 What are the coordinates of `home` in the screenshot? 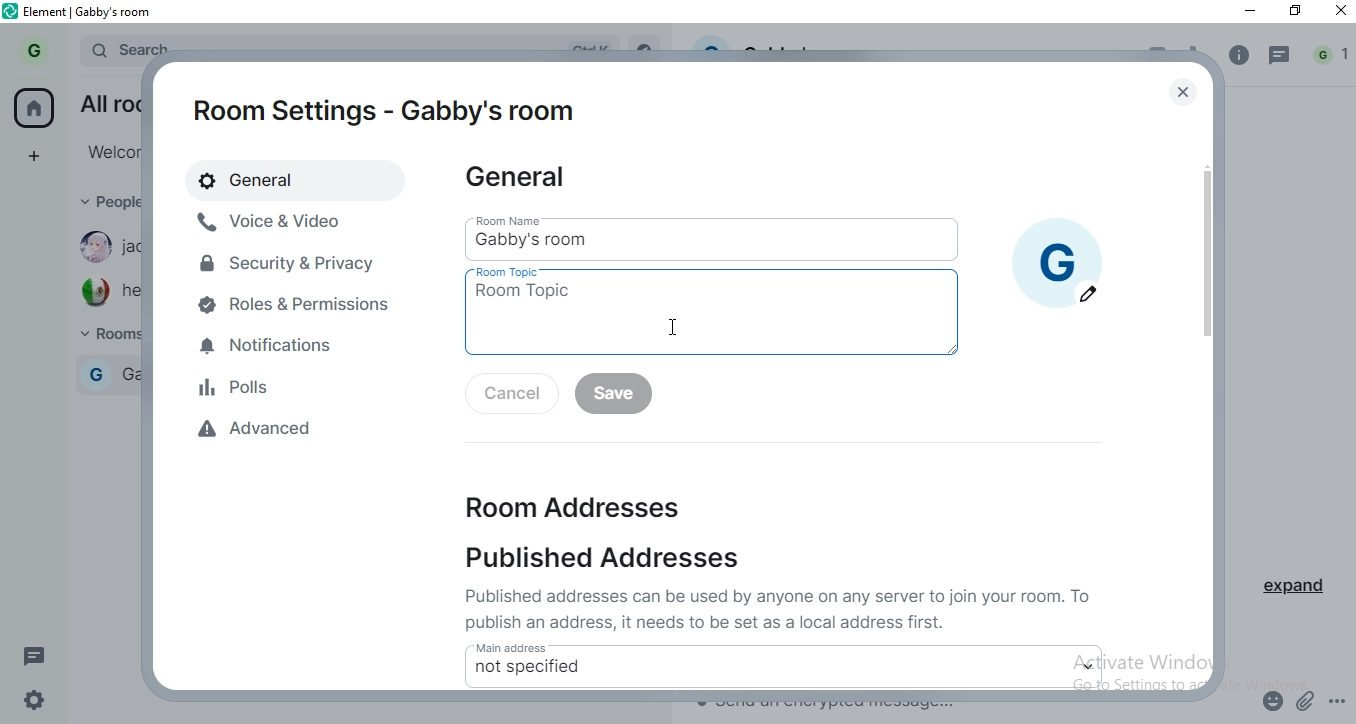 It's located at (35, 107).